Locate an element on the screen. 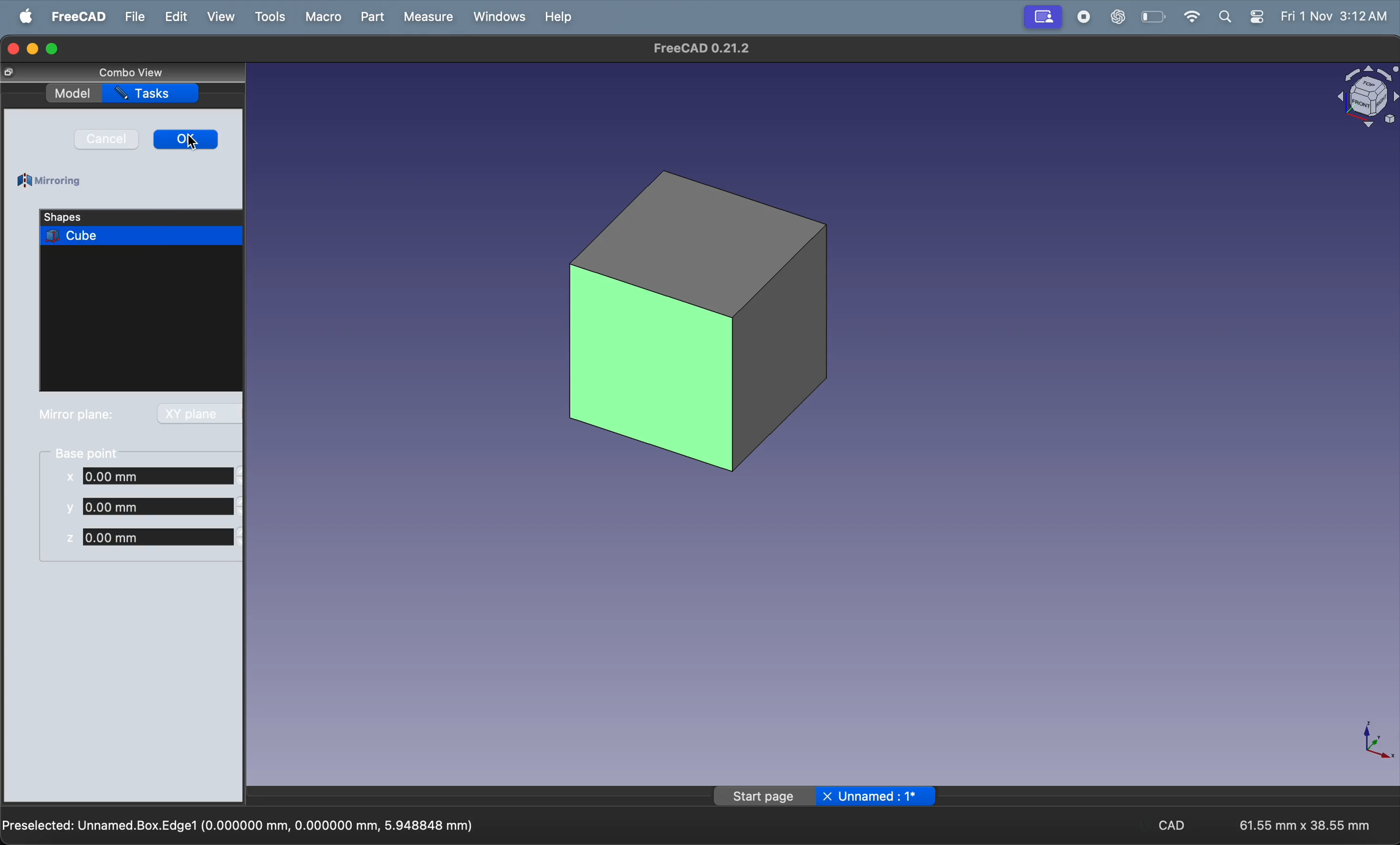  FreeCAD 0.21.2 is located at coordinates (697, 48).